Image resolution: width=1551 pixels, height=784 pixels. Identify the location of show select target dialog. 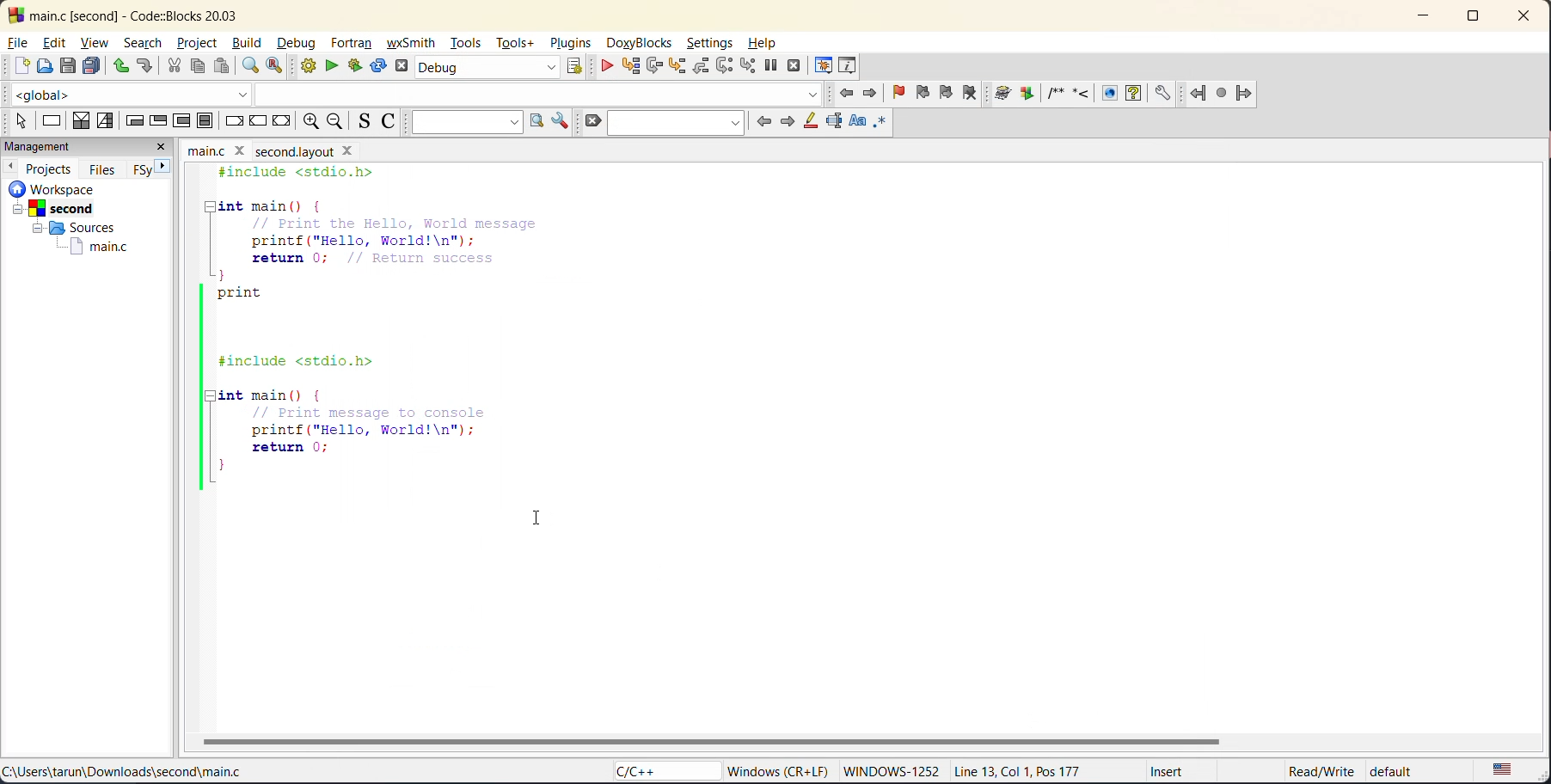
(577, 69).